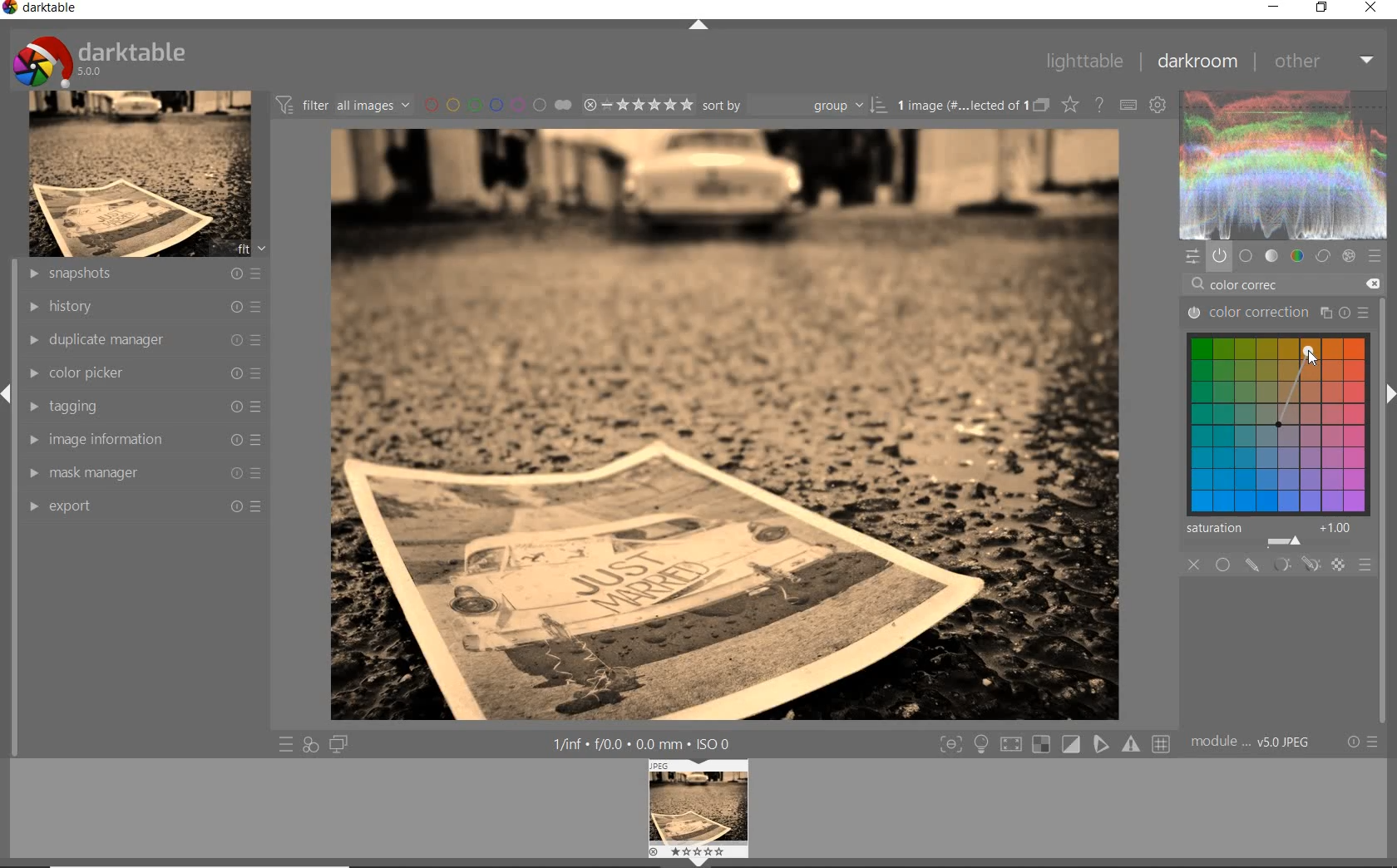 The height and width of the screenshot is (868, 1397). What do you see at coordinates (140, 175) in the screenshot?
I see `image` at bounding box center [140, 175].